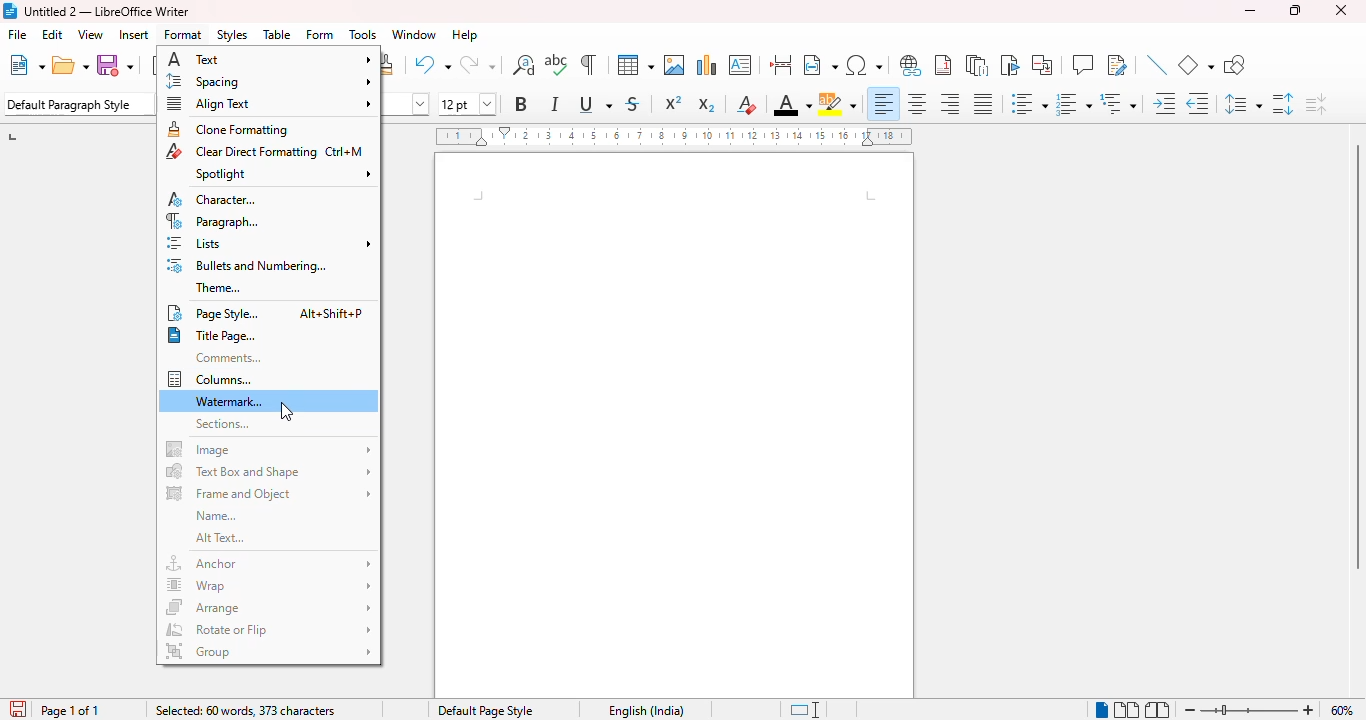  What do you see at coordinates (268, 629) in the screenshot?
I see `rotate or flip` at bounding box center [268, 629].